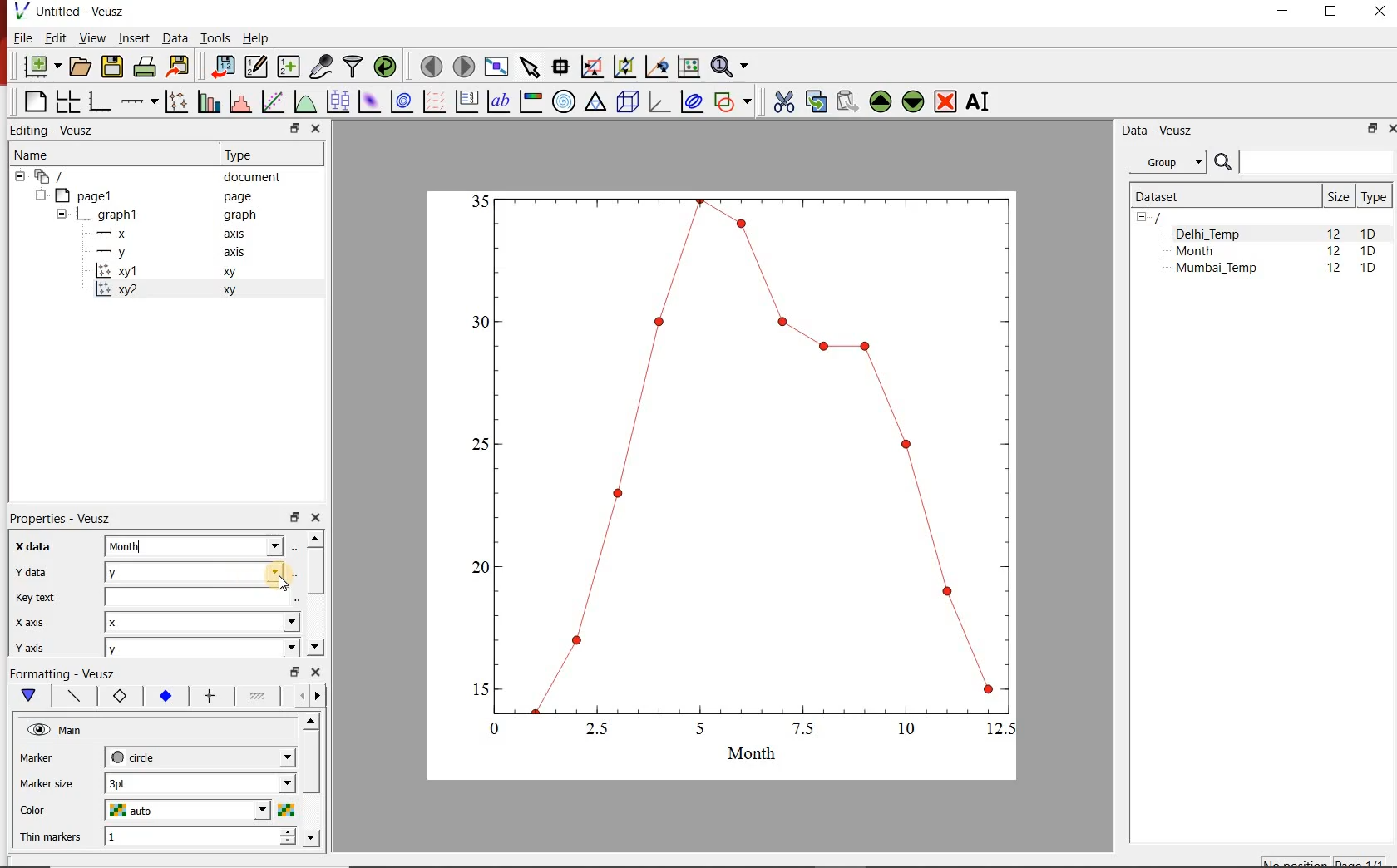 The image size is (1397, 868). I want to click on 1, so click(200, 838).